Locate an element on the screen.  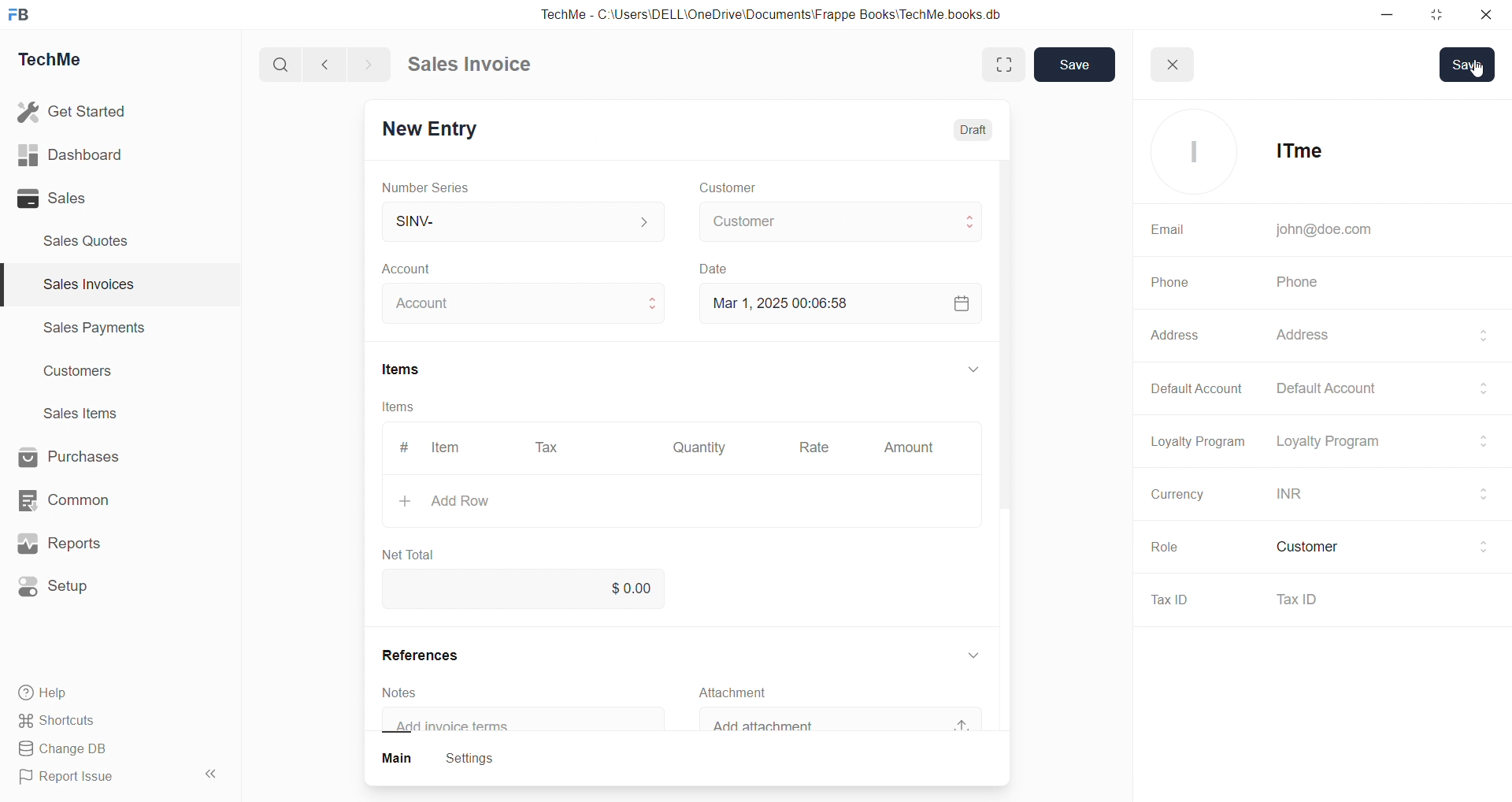
Role is located at coordinates (1169, 548).